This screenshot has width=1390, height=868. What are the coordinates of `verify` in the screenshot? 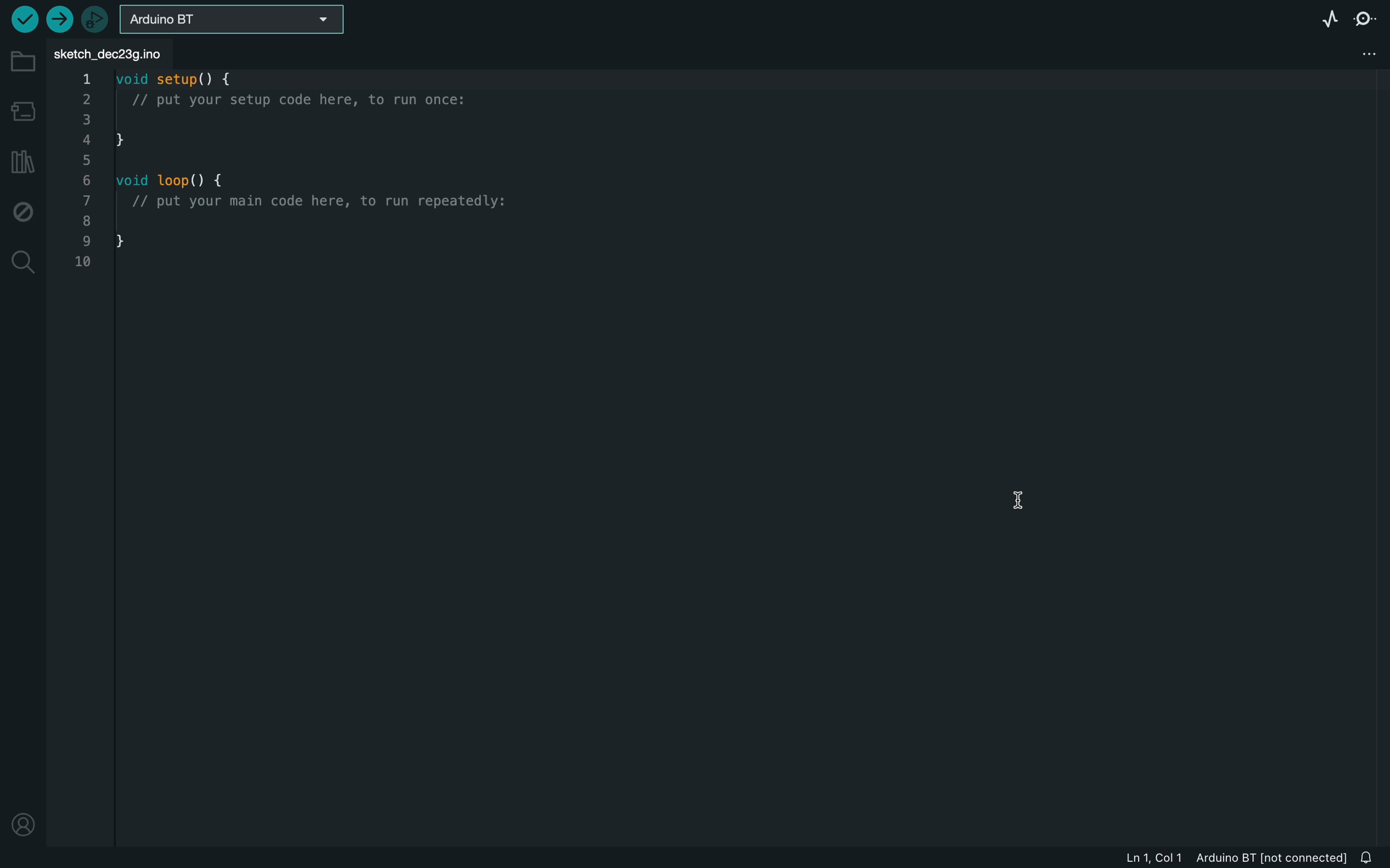 It's located at (22, 20).